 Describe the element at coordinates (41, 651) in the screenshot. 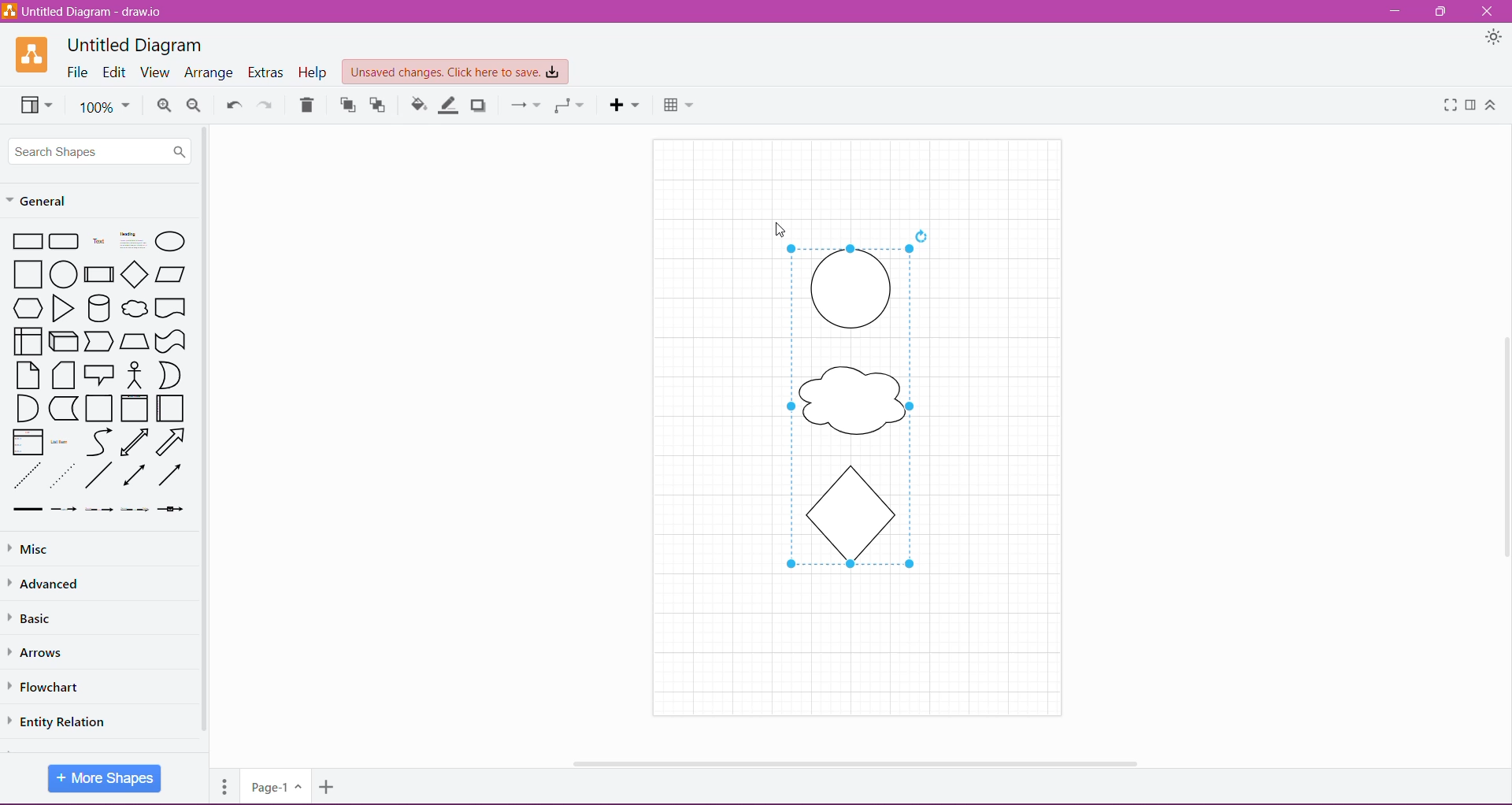

I see `Arrows` at that location.